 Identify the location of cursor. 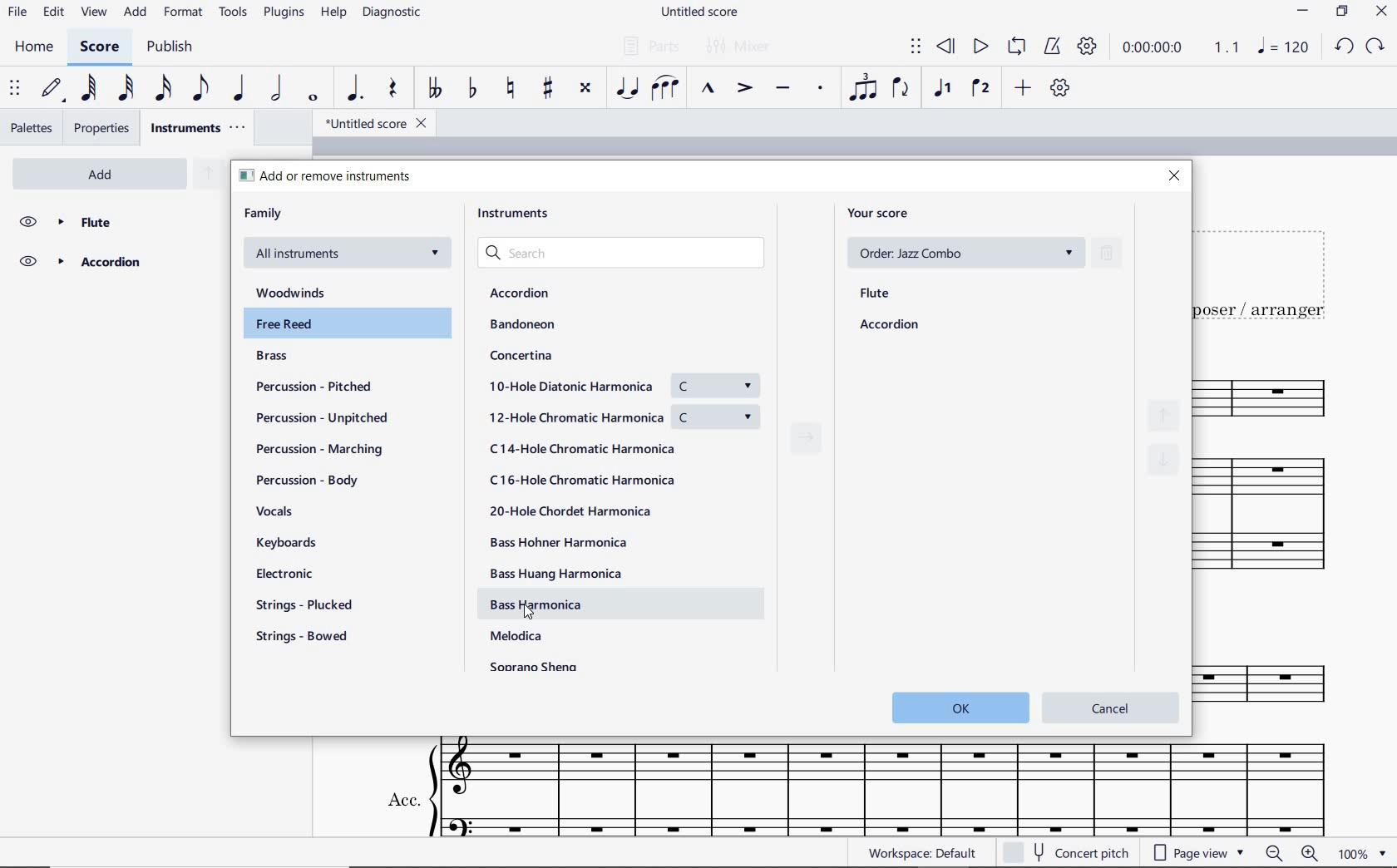
(530, 618).